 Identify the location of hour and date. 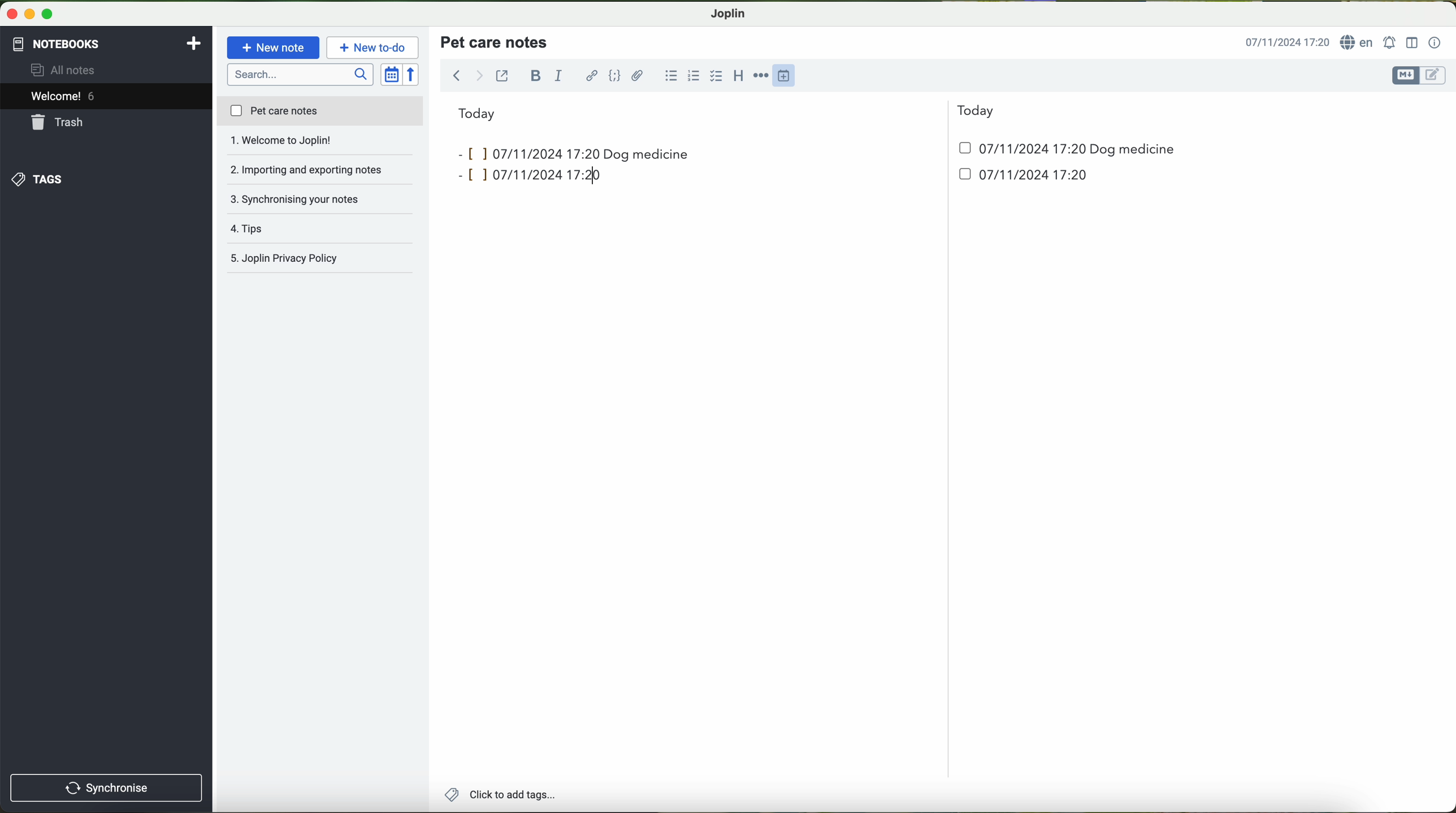
(1286, 43).